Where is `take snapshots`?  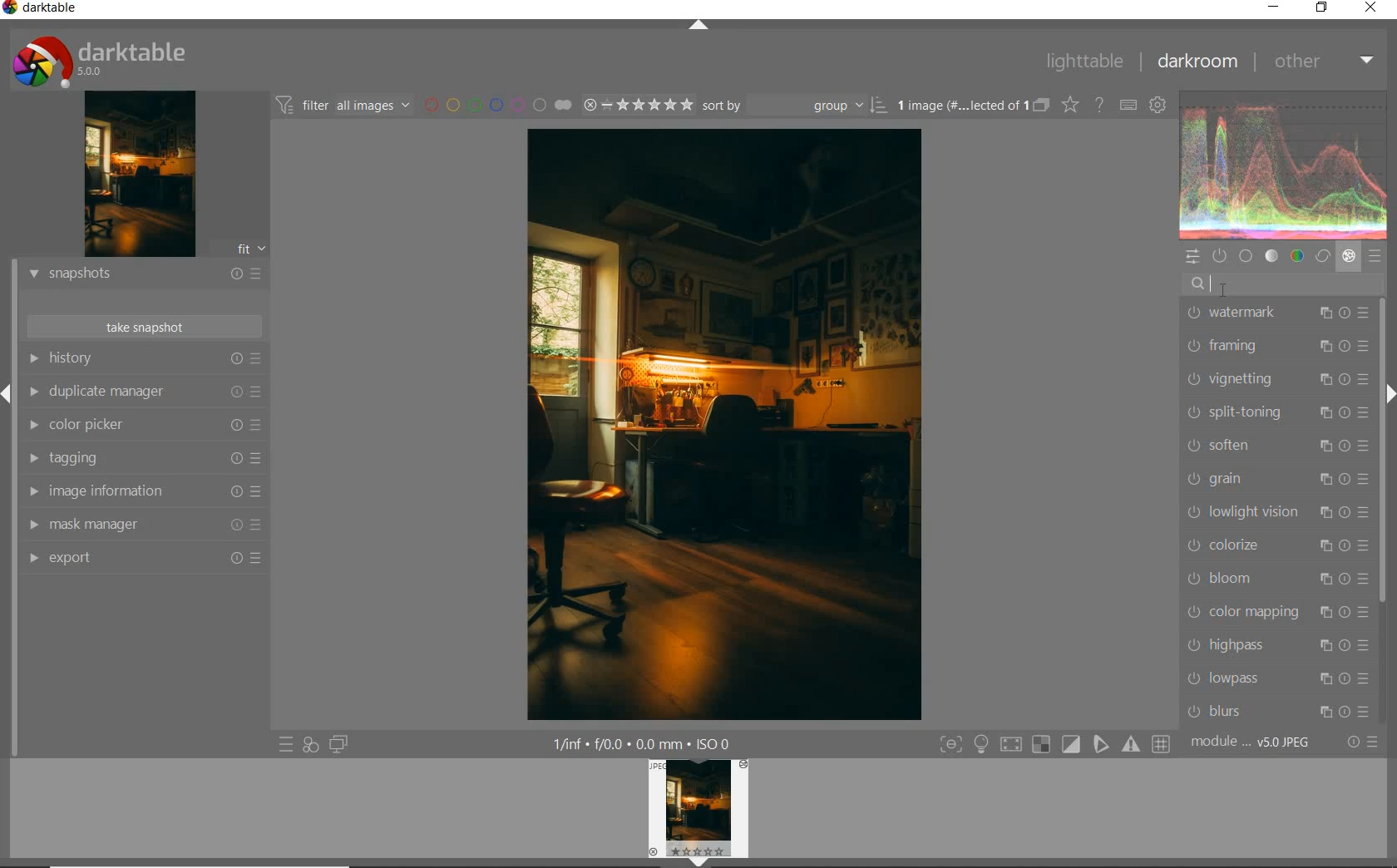 take snapshots is located at coordinates (146, 326).